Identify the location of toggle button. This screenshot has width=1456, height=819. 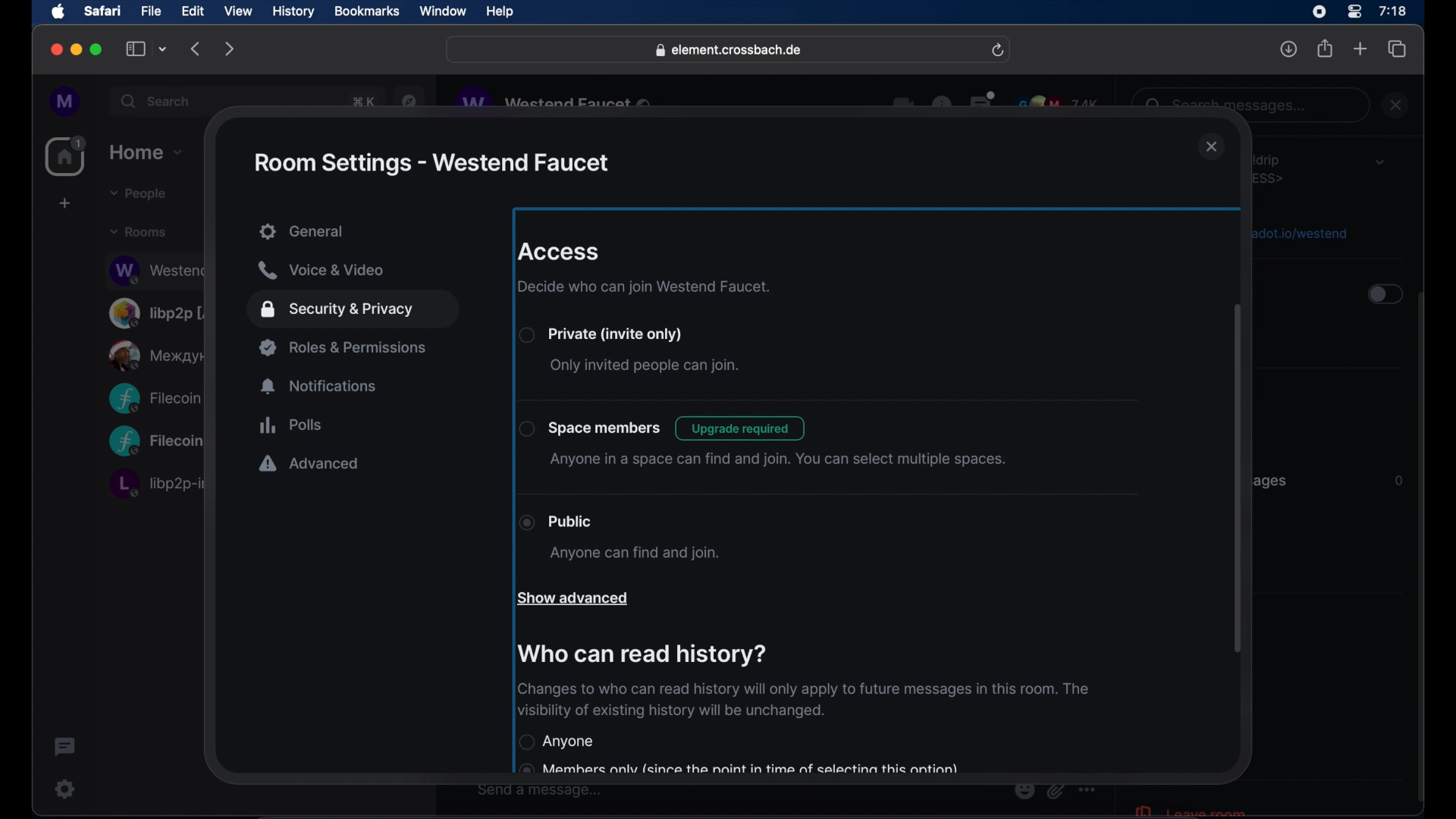
(1383, 296).